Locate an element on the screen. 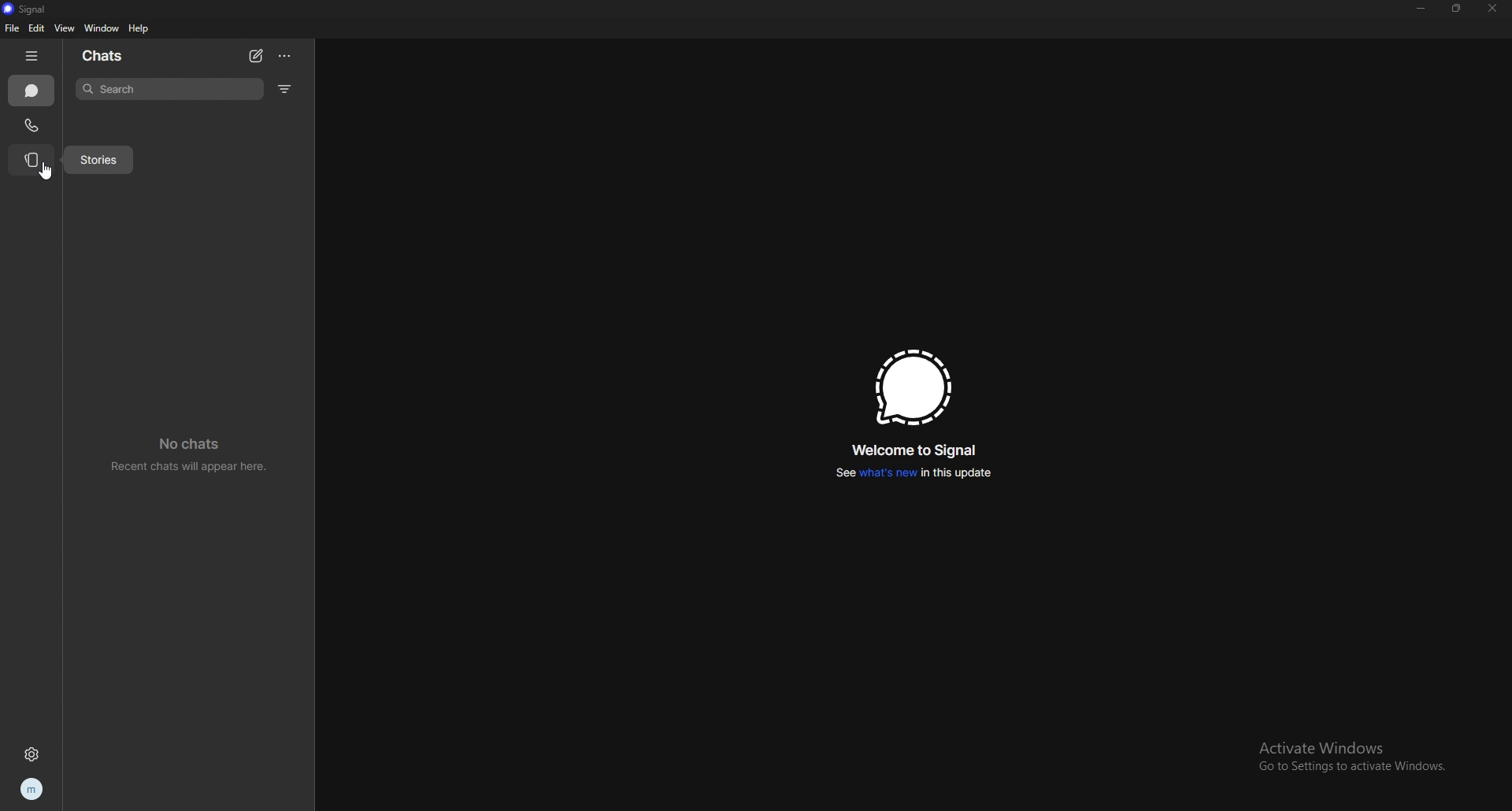  what's new is located at coordinates (887, 472).